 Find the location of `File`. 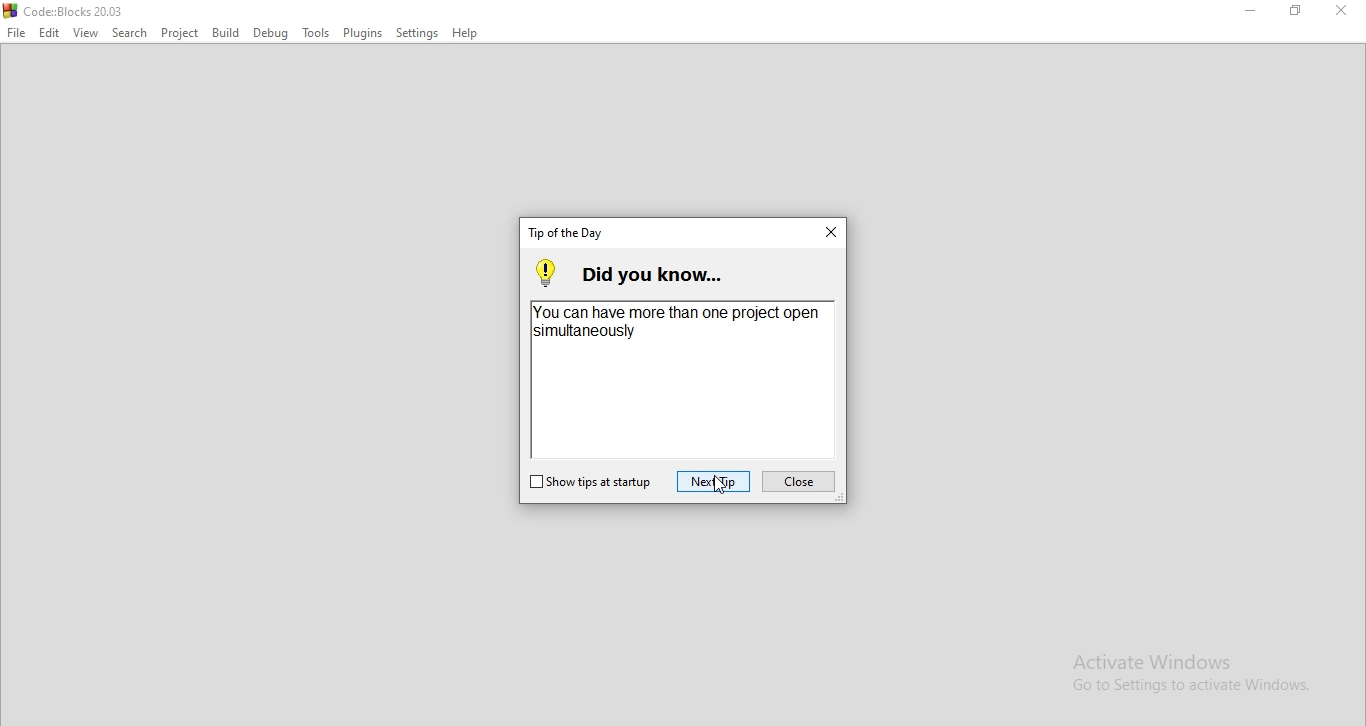

File is located at coordinates (15, 33).